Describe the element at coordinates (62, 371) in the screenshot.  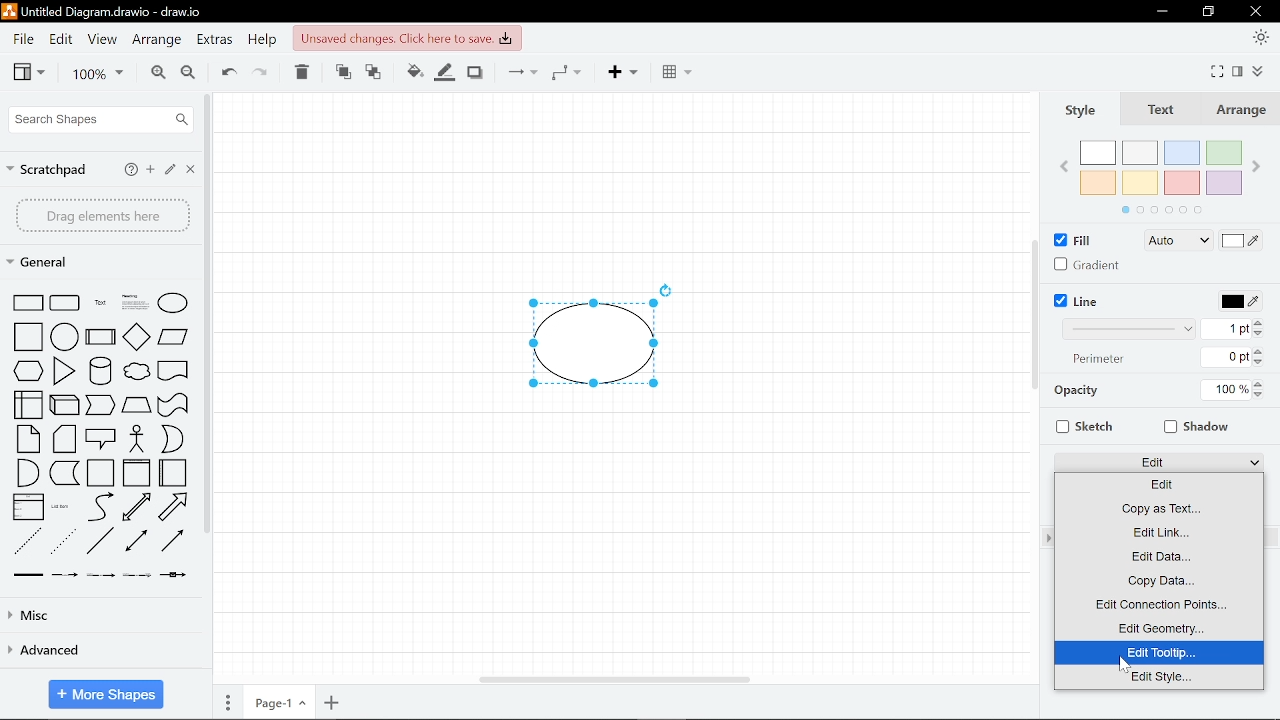
I see `traingle` at that location.